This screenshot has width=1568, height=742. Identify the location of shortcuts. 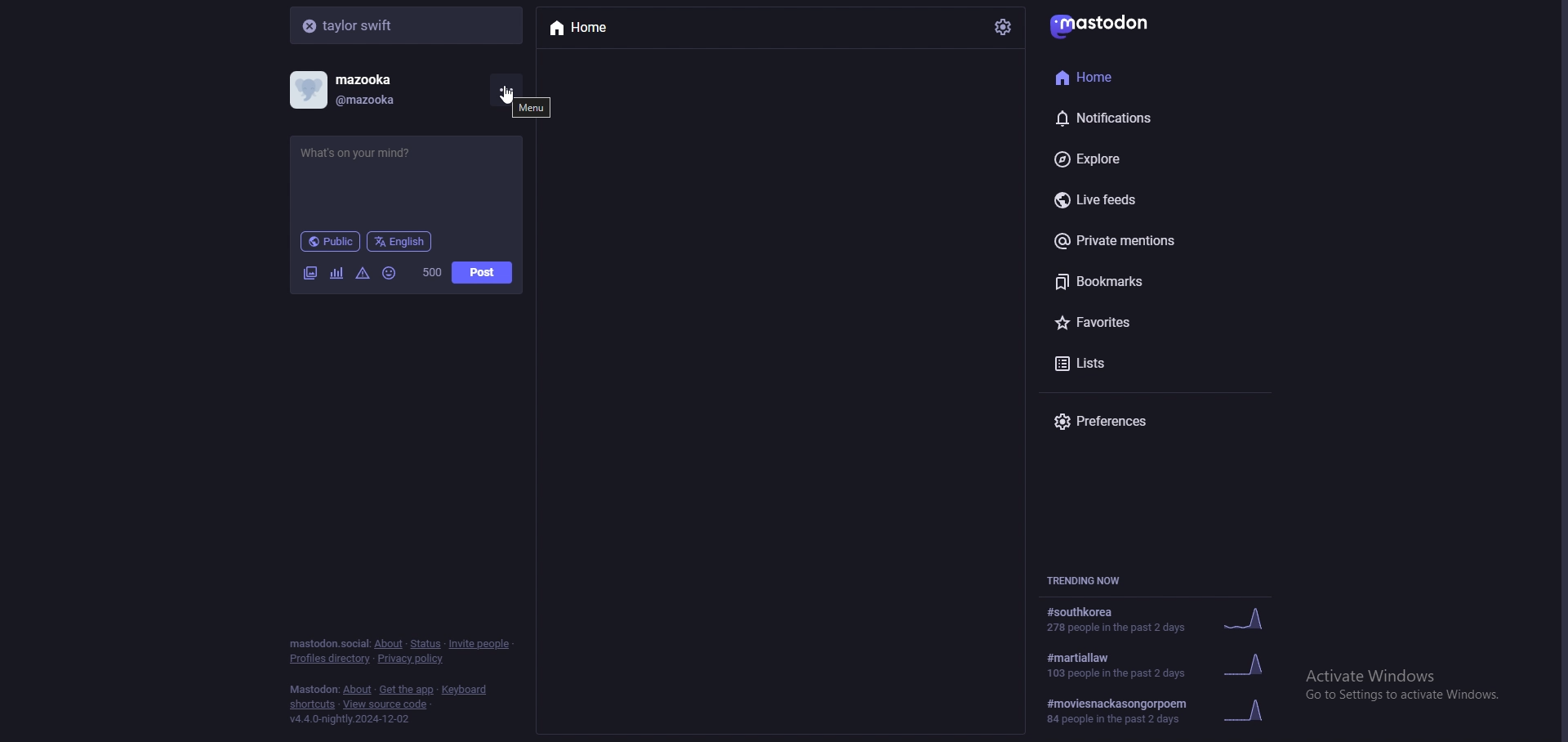
(313, 705).